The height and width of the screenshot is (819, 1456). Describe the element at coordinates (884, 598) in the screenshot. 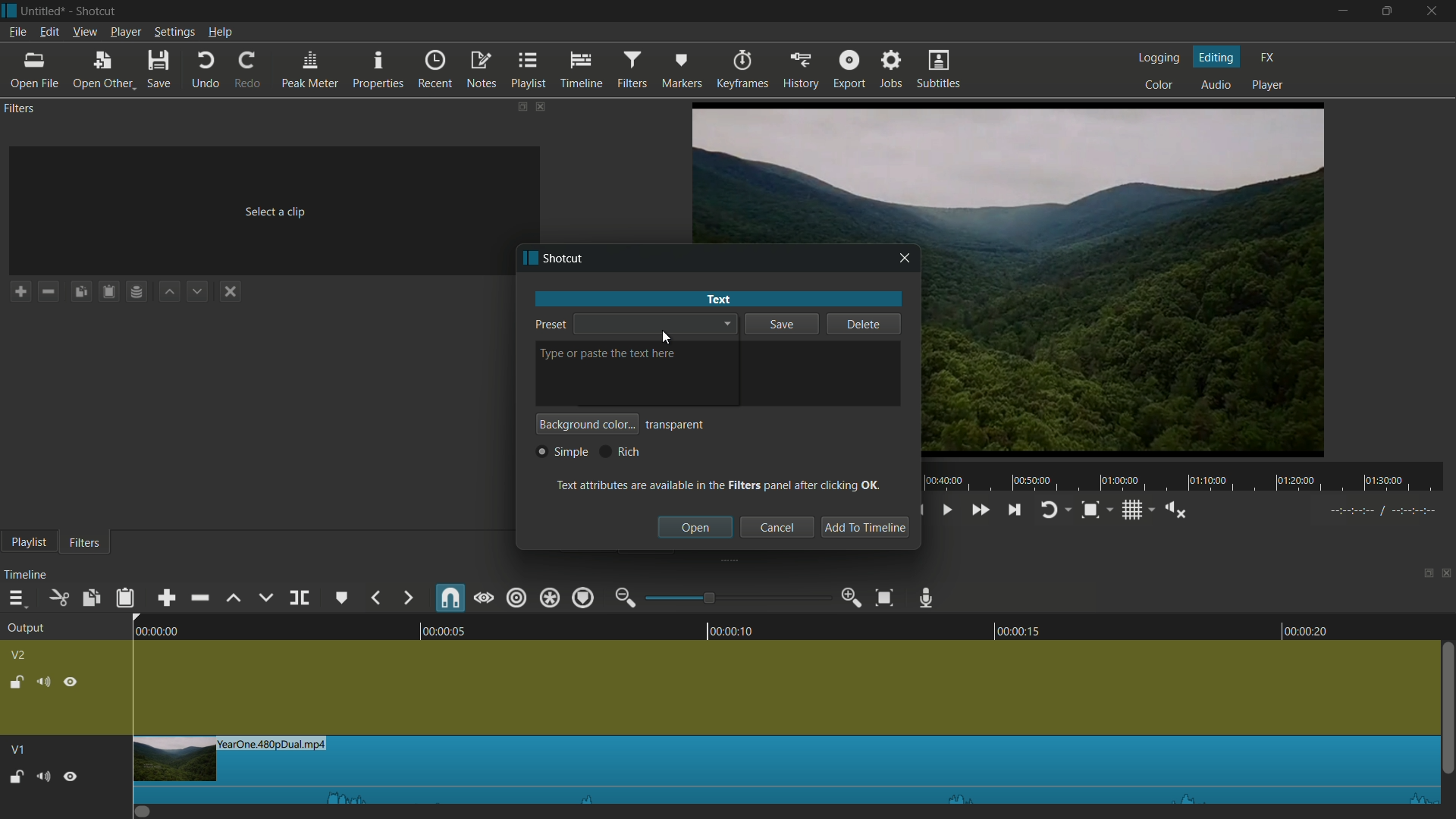

I see `zoom timeline to fit` at that location.